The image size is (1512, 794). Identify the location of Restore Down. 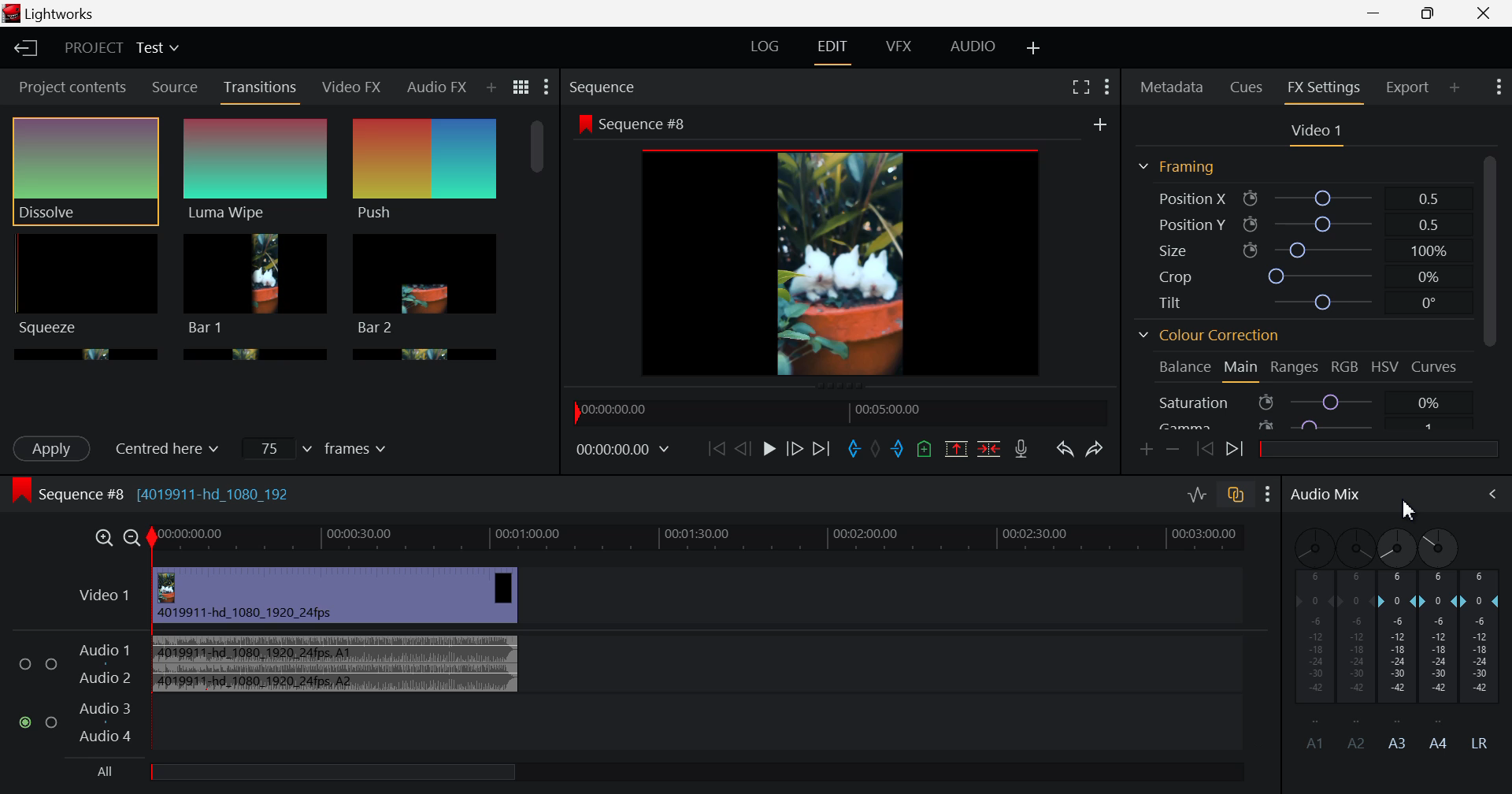
(1374, 14).